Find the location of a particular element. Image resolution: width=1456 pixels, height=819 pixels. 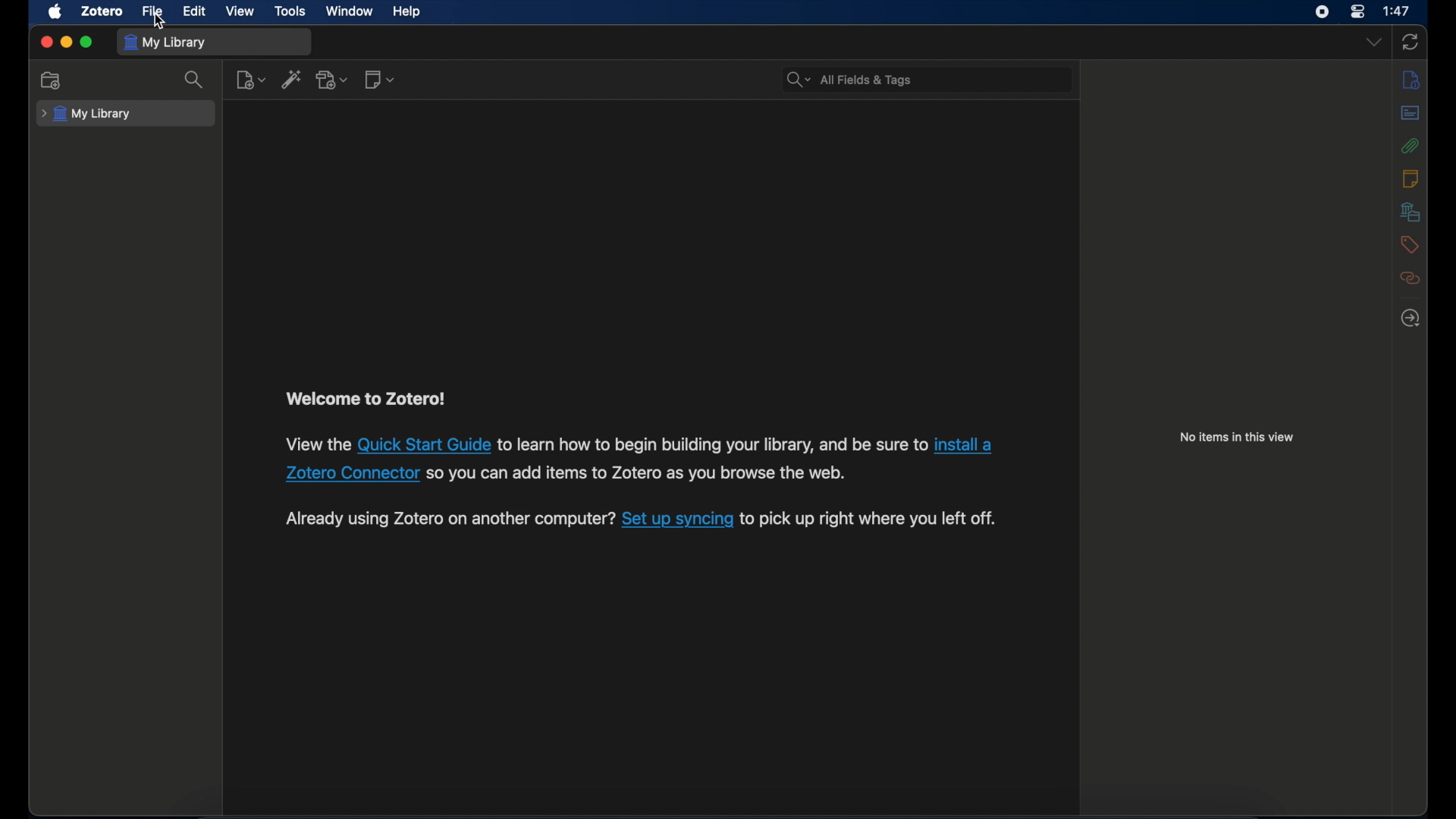

All Fields & Tags is located at coordinates (922, 80).